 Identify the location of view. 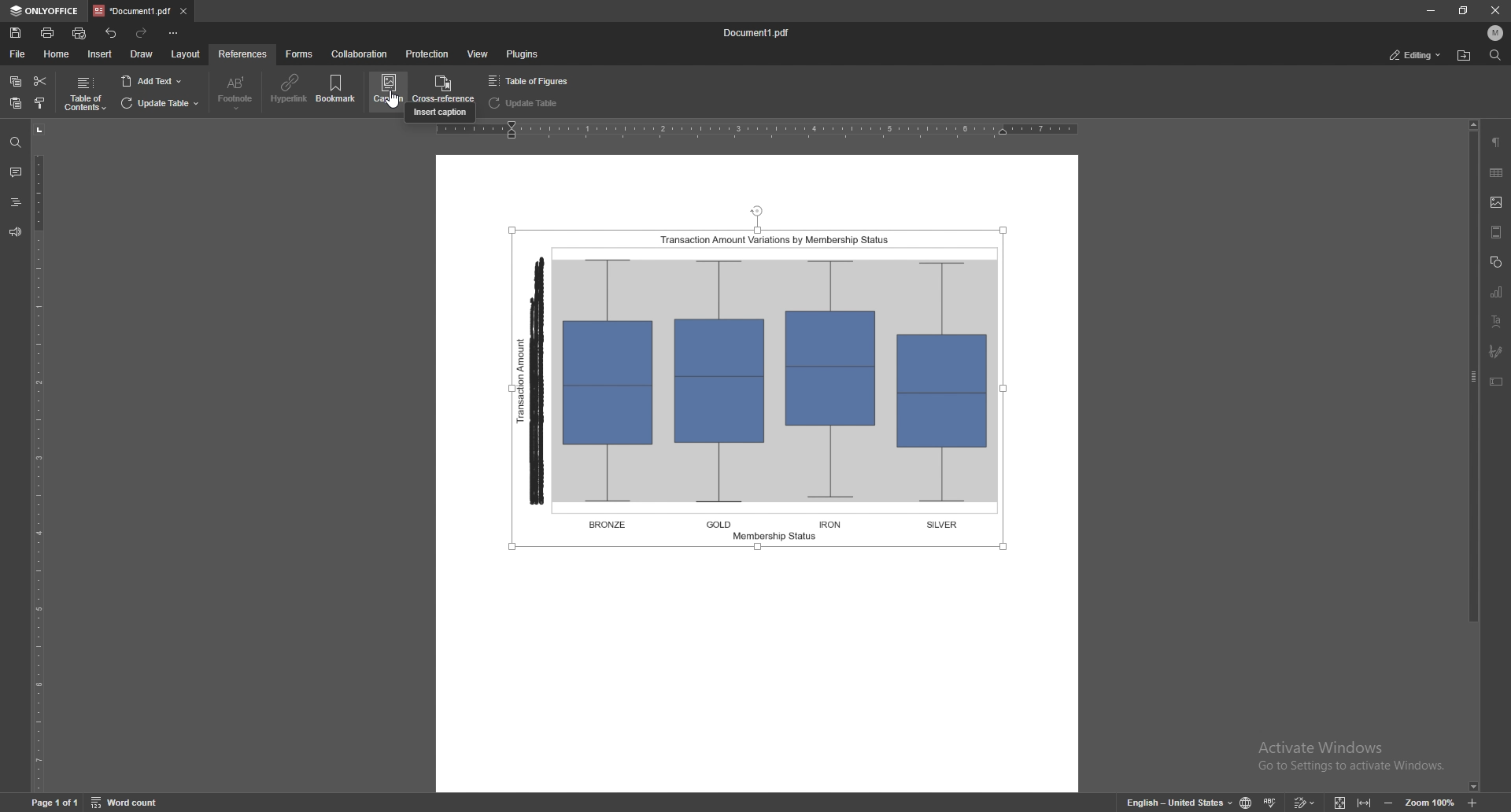
(478, 54).